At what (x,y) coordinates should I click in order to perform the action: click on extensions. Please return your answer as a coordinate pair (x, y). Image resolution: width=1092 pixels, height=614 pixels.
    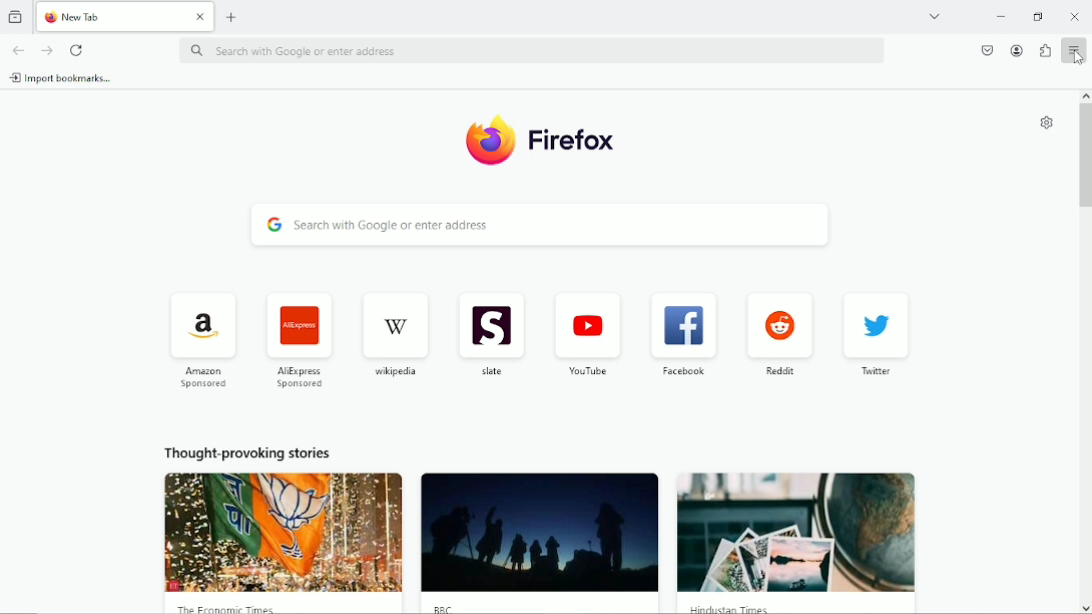
    Looking at the image, I should click on (1046, 51).